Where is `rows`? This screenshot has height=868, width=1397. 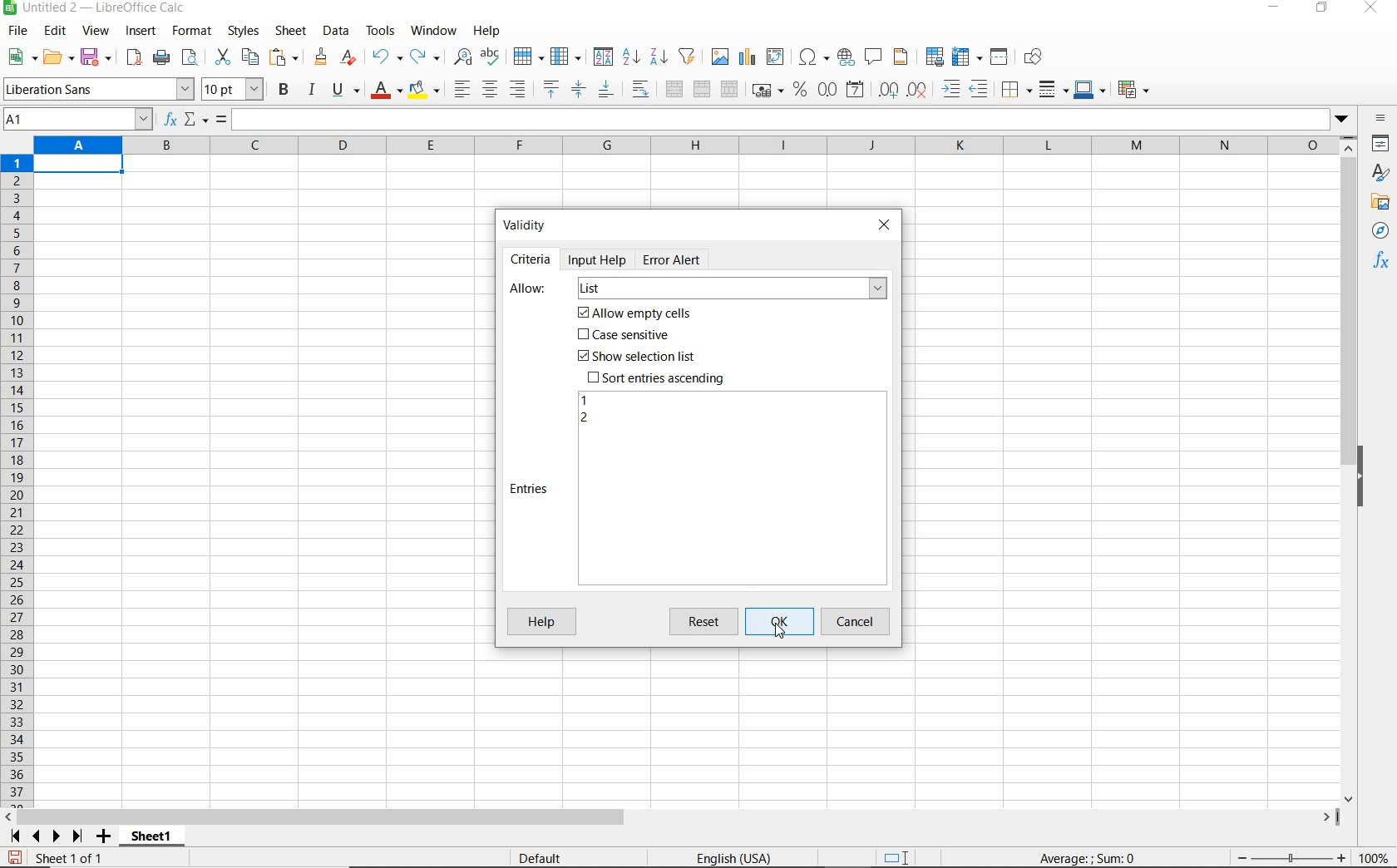 rows is located at coordinates (17, 481).